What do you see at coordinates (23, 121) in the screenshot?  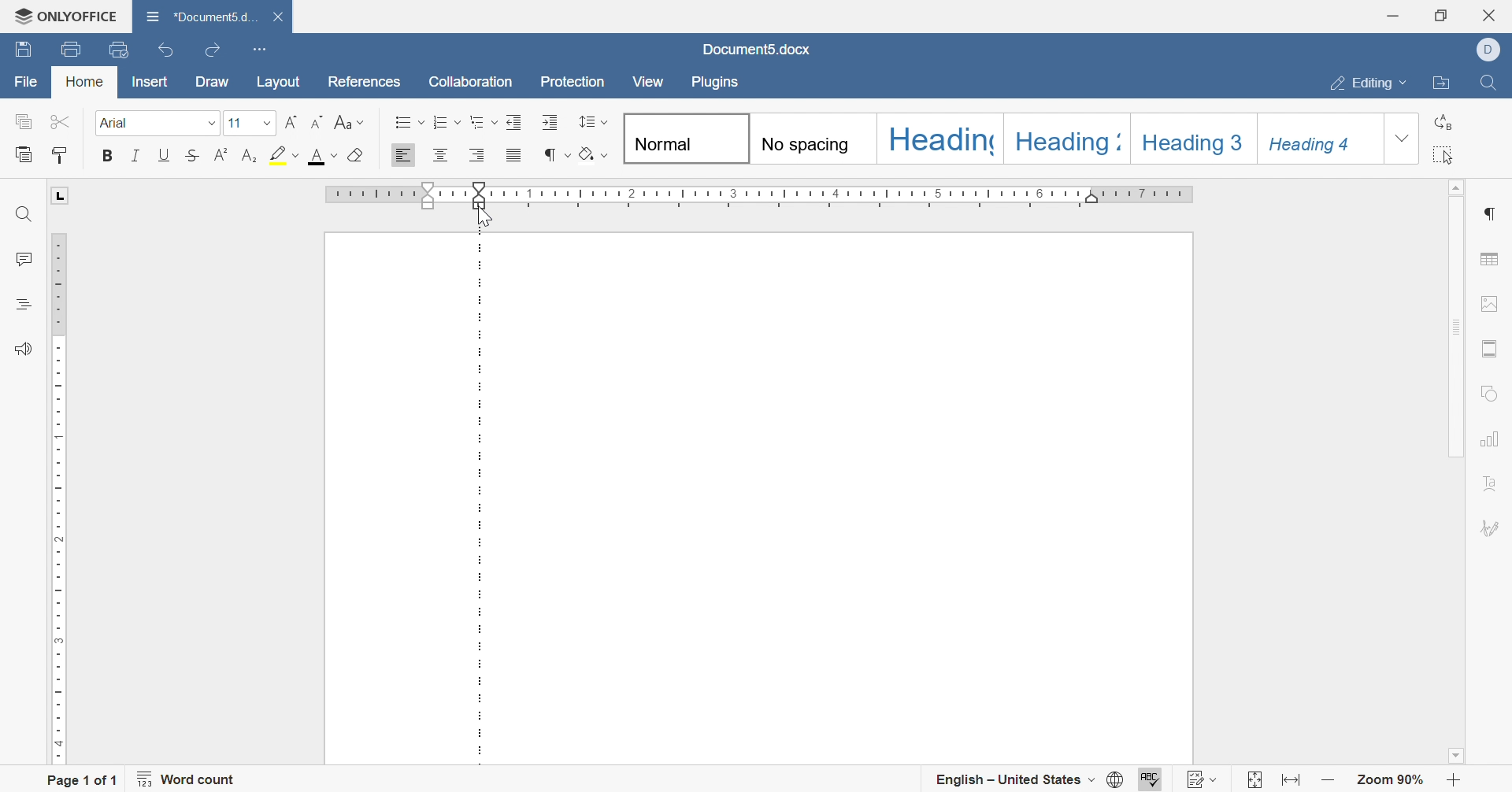 I see `copy` at bounding box center [23, 121].